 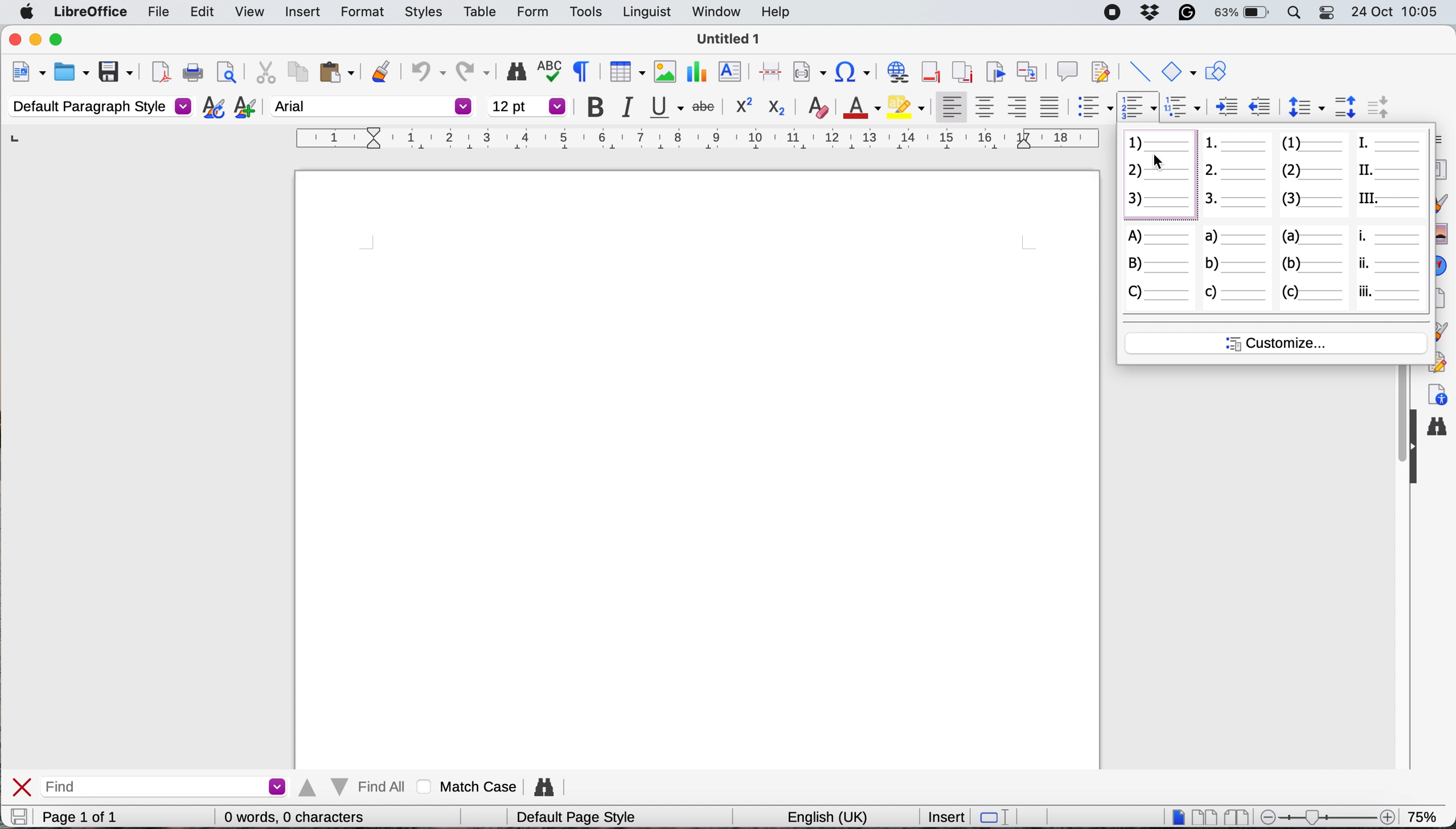 I want to click on customise, so click(x=1278, y=343).